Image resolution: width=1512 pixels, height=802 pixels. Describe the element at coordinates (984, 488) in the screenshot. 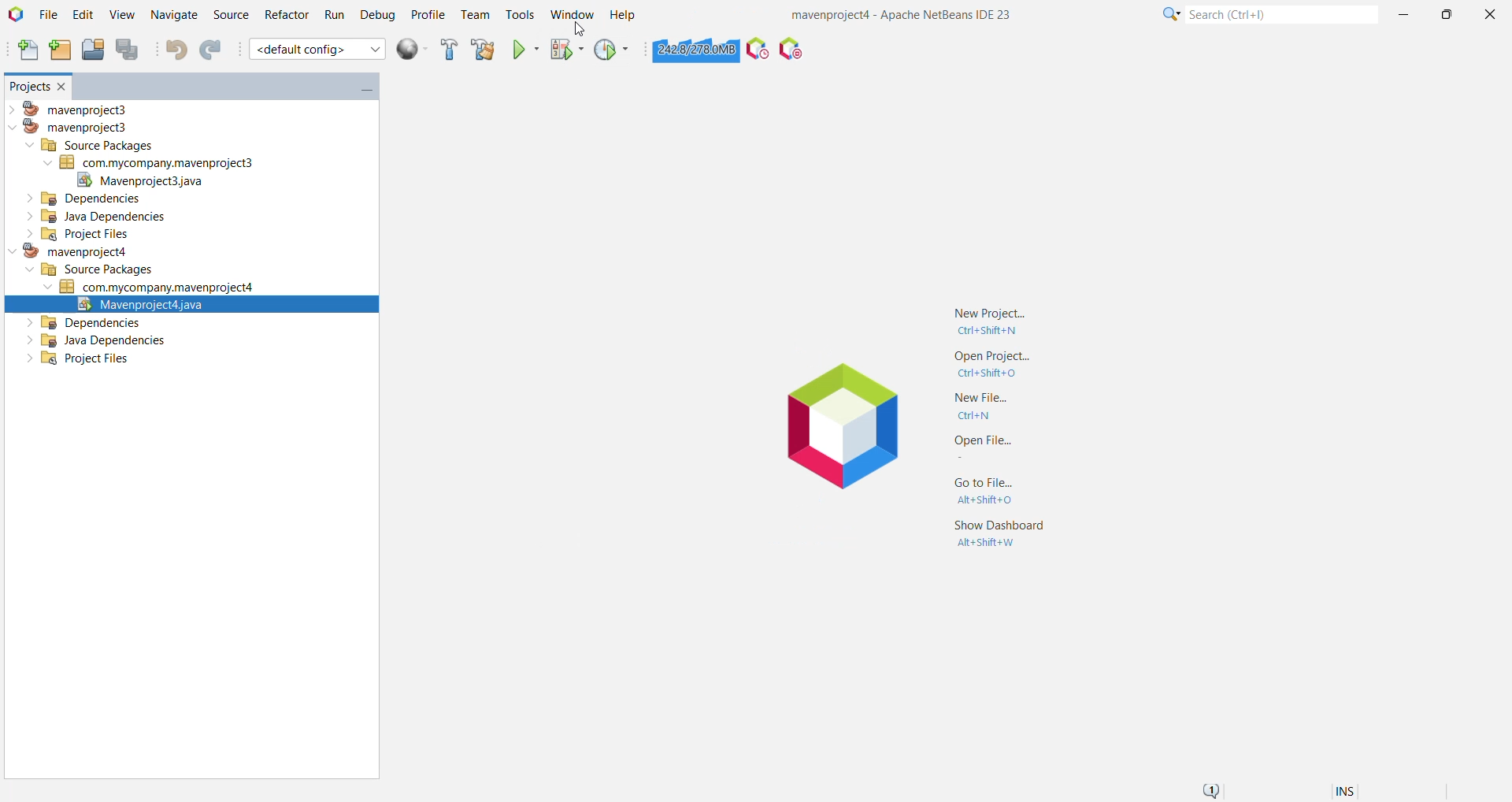

I see `Go to File` at that location.